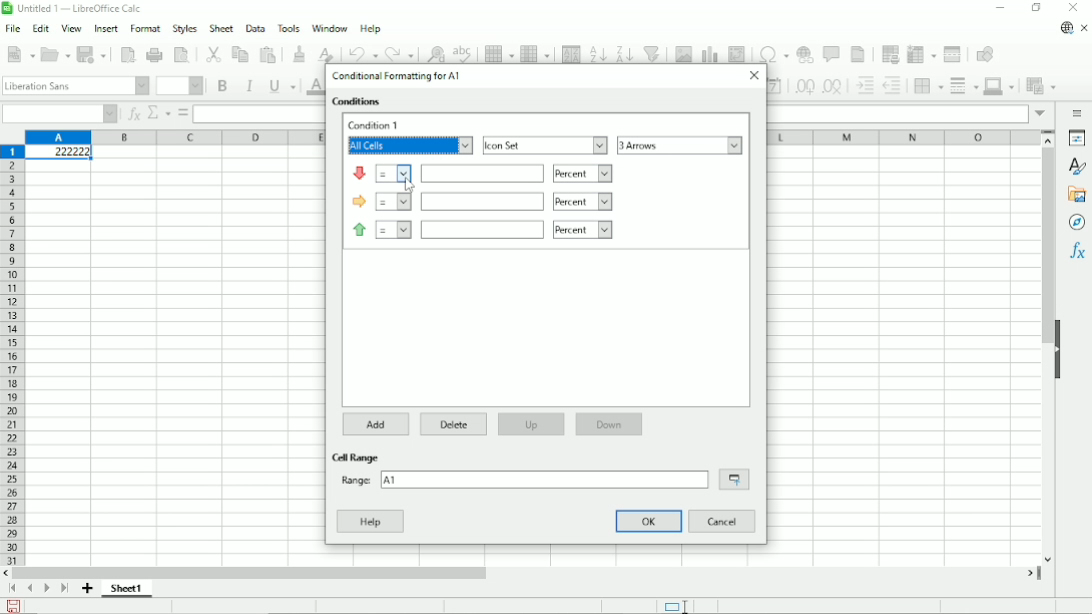 This screenshot has height=614, width=1092. I want to click on Window, so click(329, 28).